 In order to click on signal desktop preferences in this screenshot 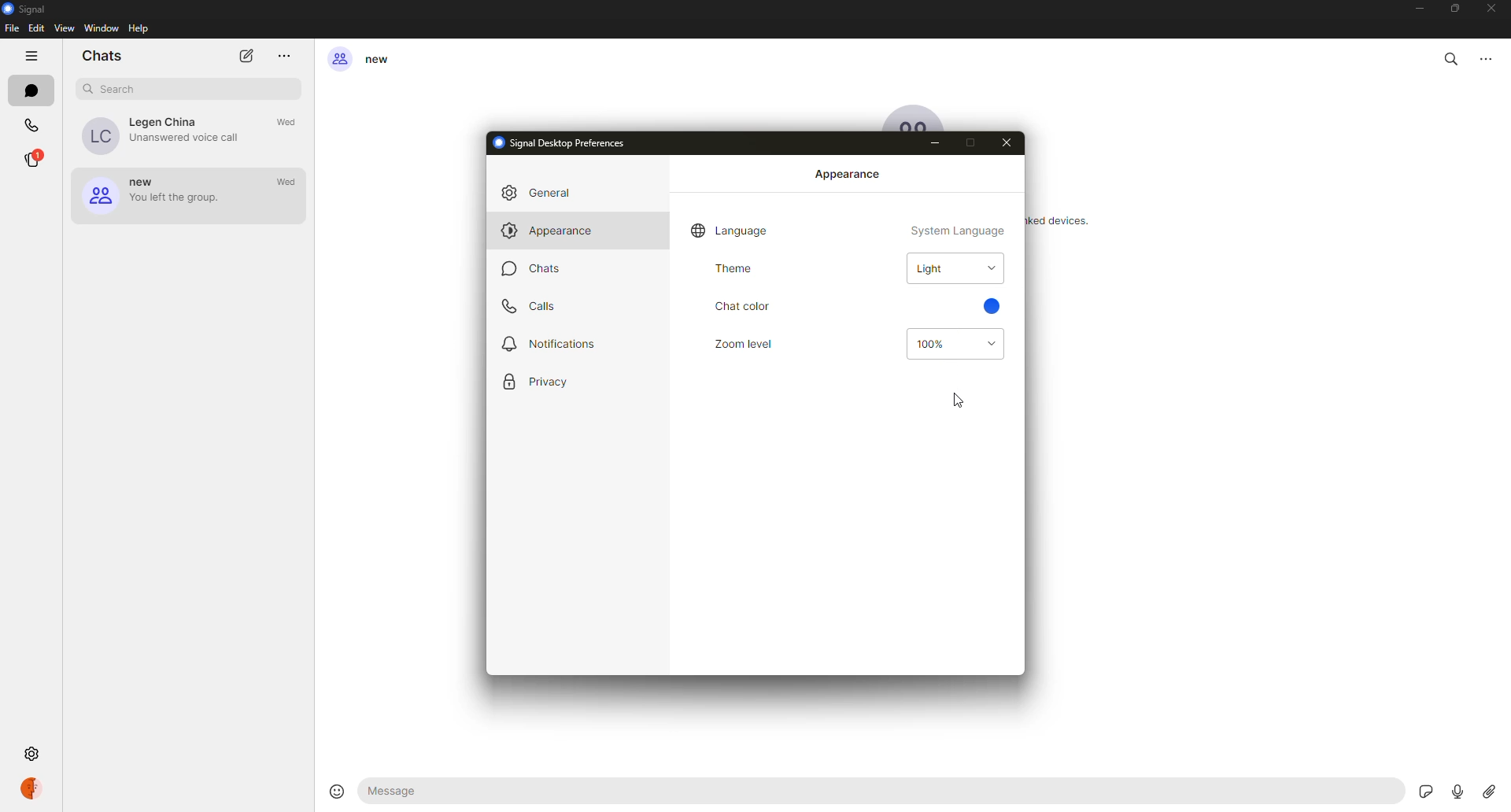, I will do `click(565, 142)`.